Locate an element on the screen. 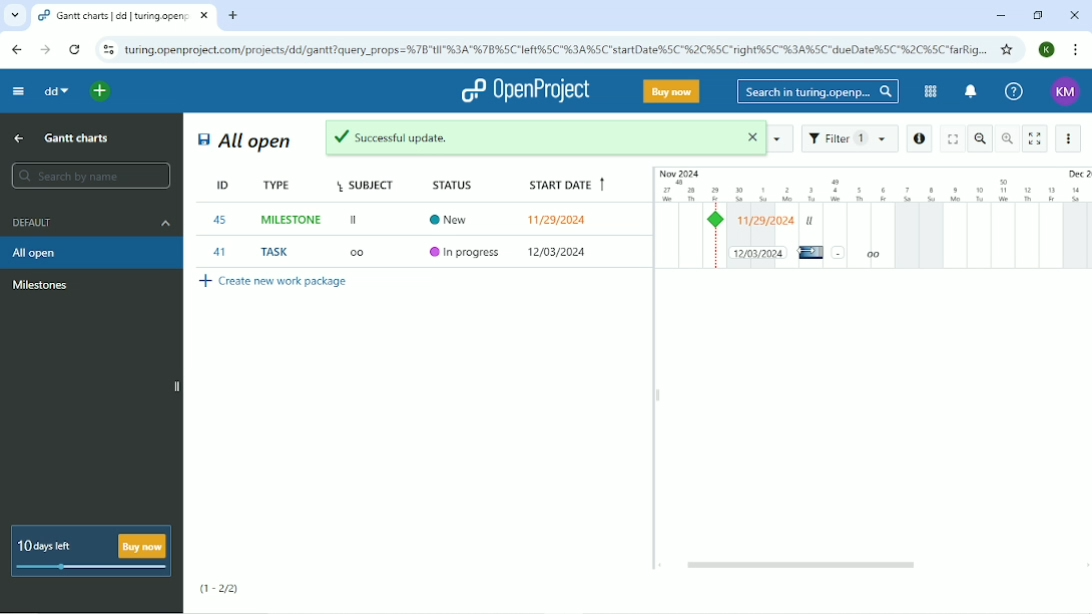 This screenshot has width=1092, height=614. Bookmark this tab is located at coordinates (1008, 49).